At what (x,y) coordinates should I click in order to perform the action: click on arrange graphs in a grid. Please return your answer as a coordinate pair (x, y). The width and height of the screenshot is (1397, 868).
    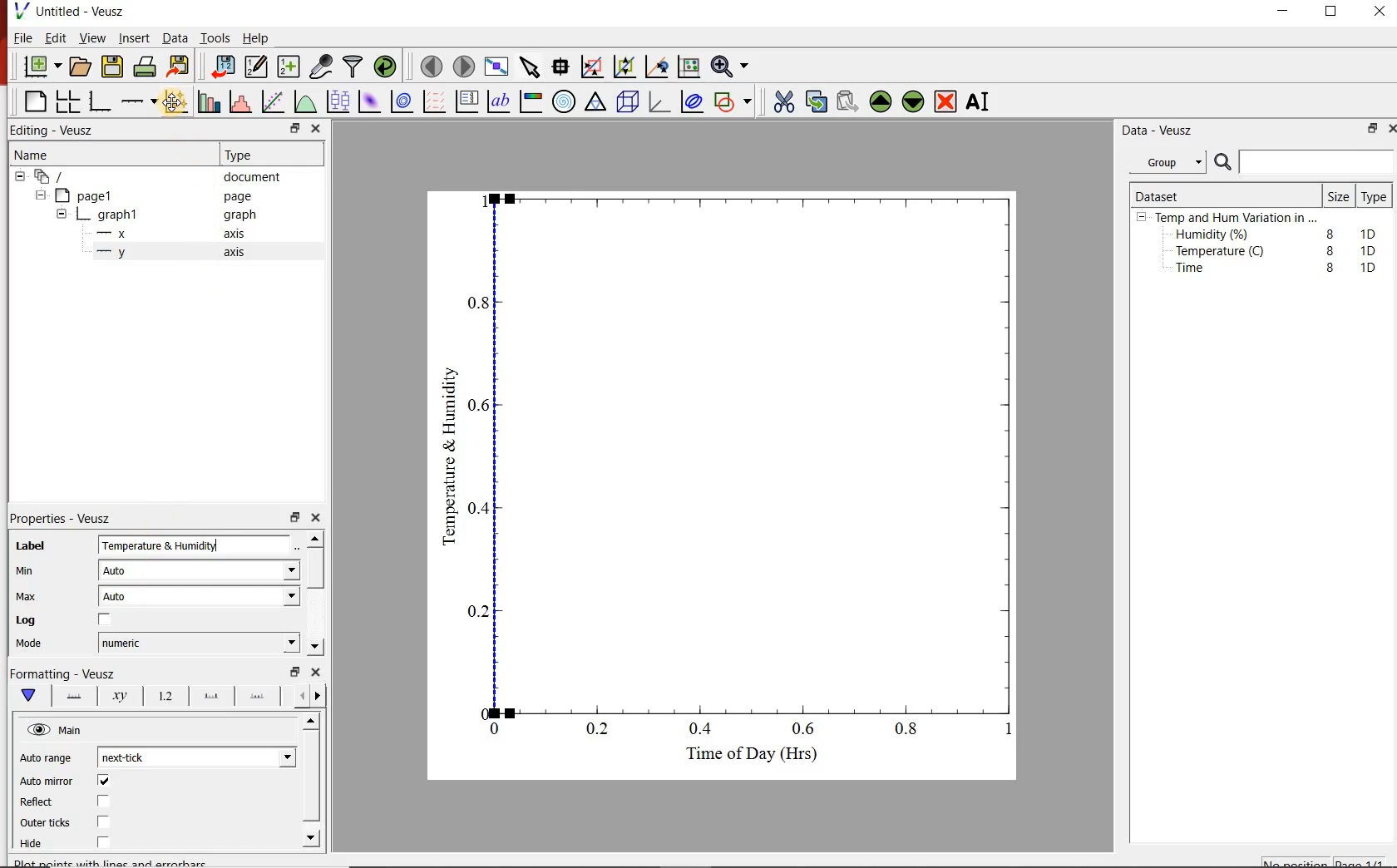
    Looking at the image, I should click on (70, 99).